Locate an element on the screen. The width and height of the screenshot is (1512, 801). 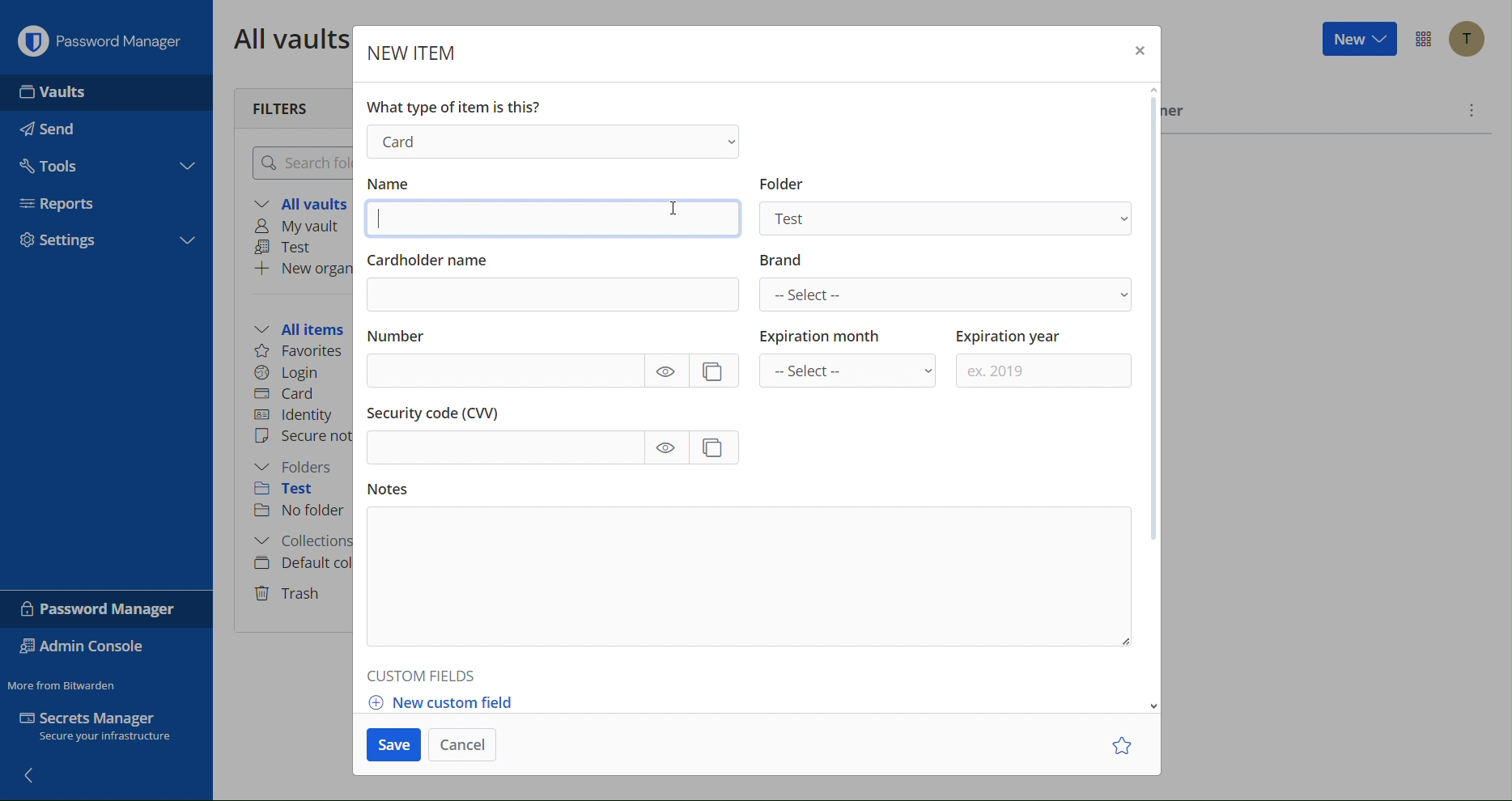
Filters is located at coordinates (281, 110).